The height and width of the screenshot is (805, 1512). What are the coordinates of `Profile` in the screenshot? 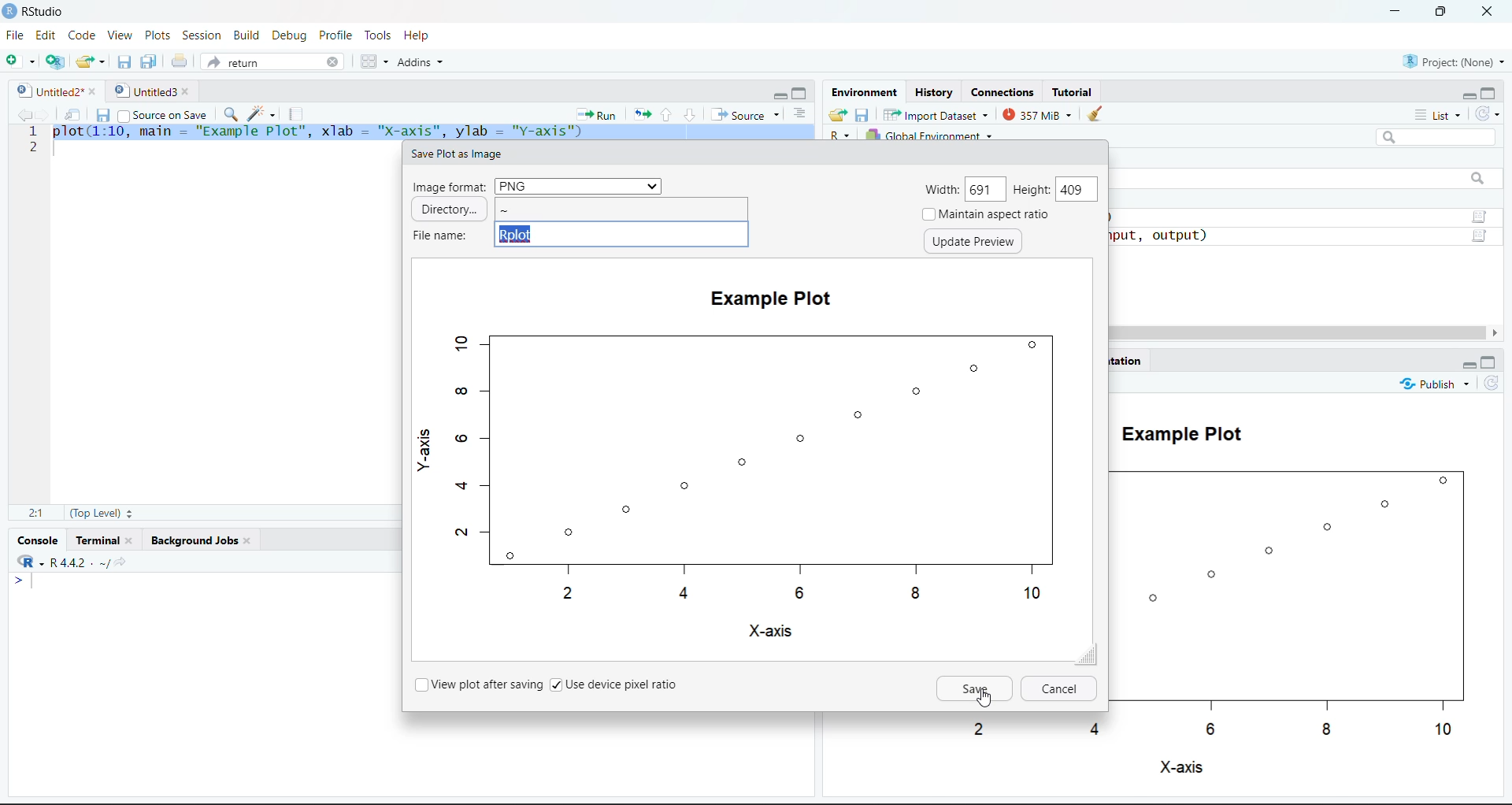 It's located at (338, 34).